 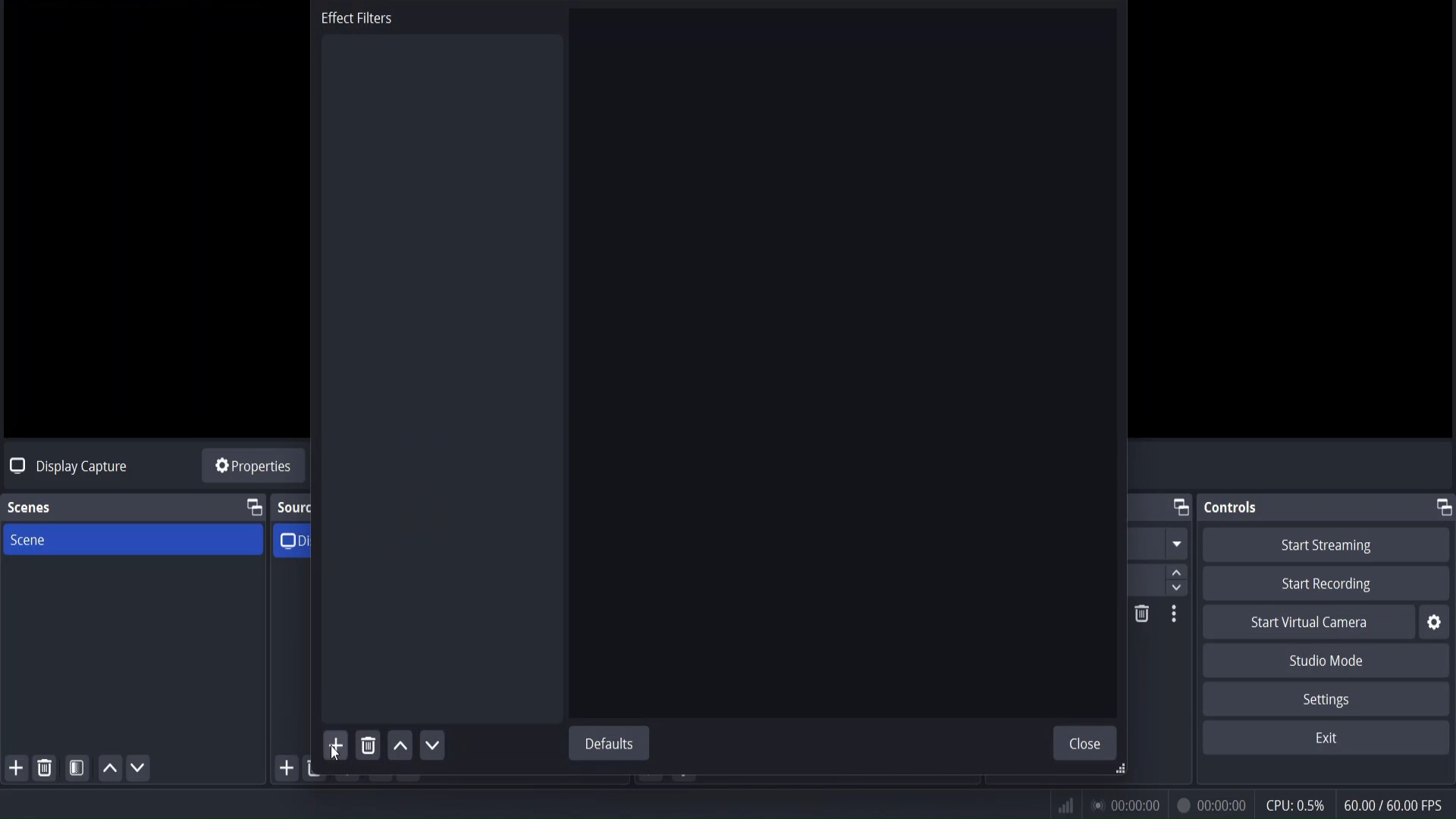 I want to click on fps, so click(x=1395, y=805).